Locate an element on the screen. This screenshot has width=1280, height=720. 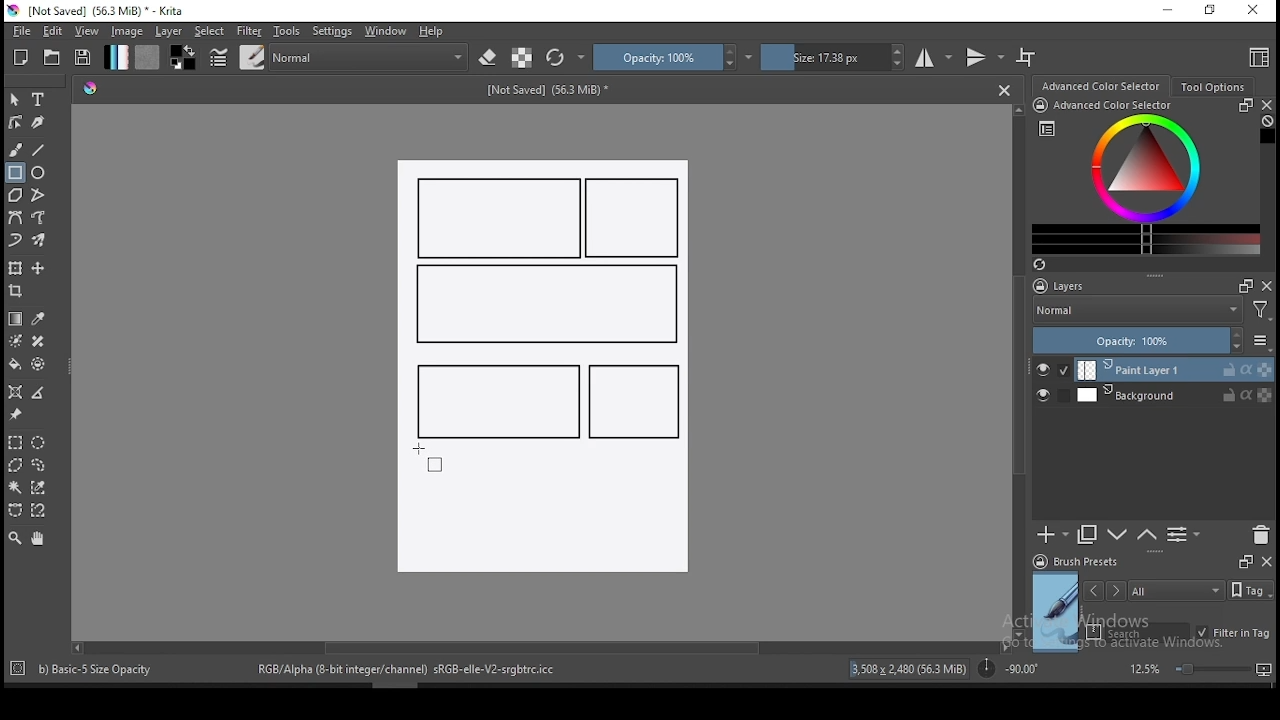
magnetic curve selection tool is located at coordinates (36, 510).